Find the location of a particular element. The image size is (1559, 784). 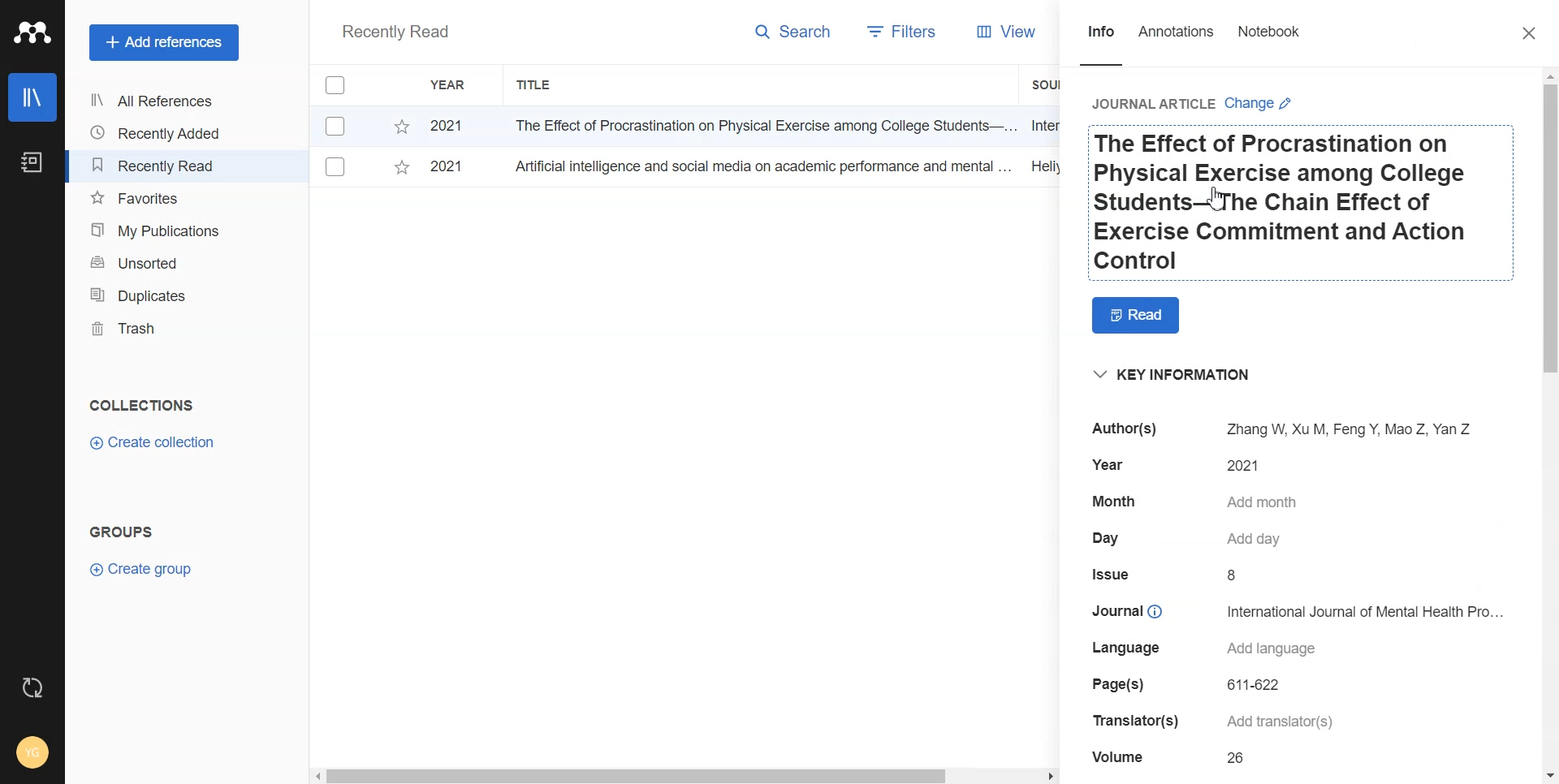

Day Add day is located at coordinates (1188, 541).